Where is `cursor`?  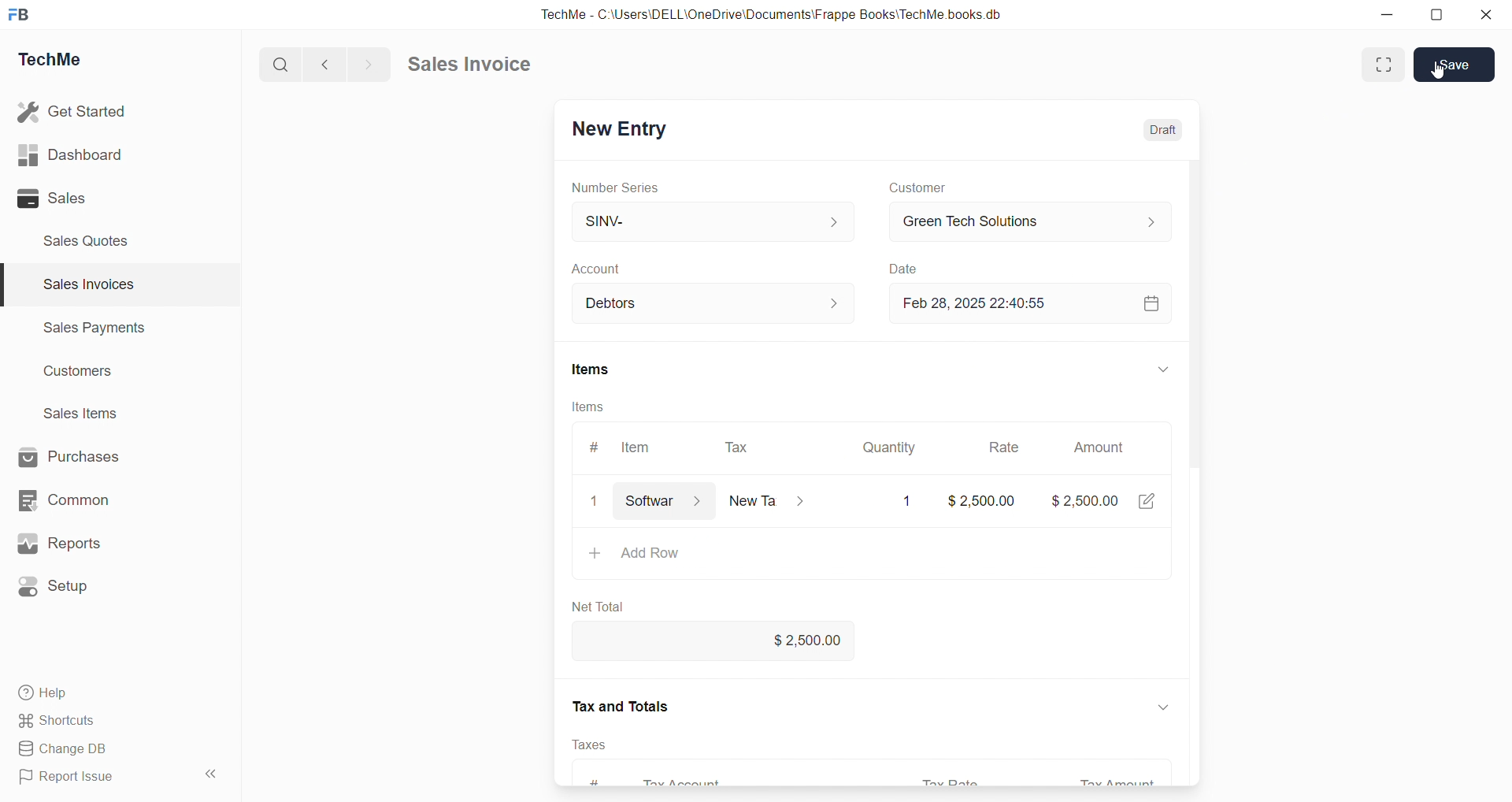
cursor is located at coordinates (1438, 71).